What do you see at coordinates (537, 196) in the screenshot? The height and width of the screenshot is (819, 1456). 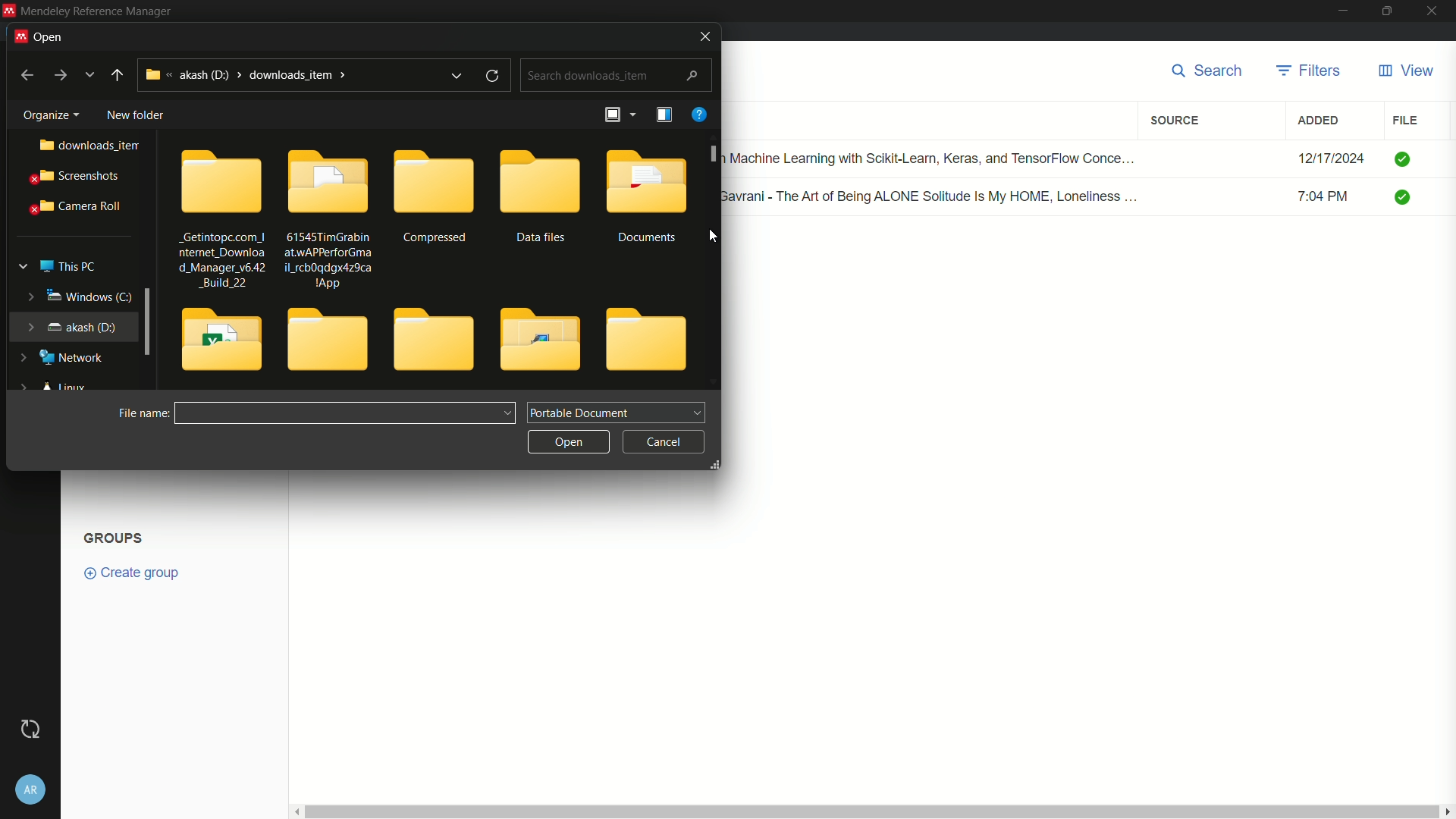 I see `Data files folder` at bounding box center [537, 196].